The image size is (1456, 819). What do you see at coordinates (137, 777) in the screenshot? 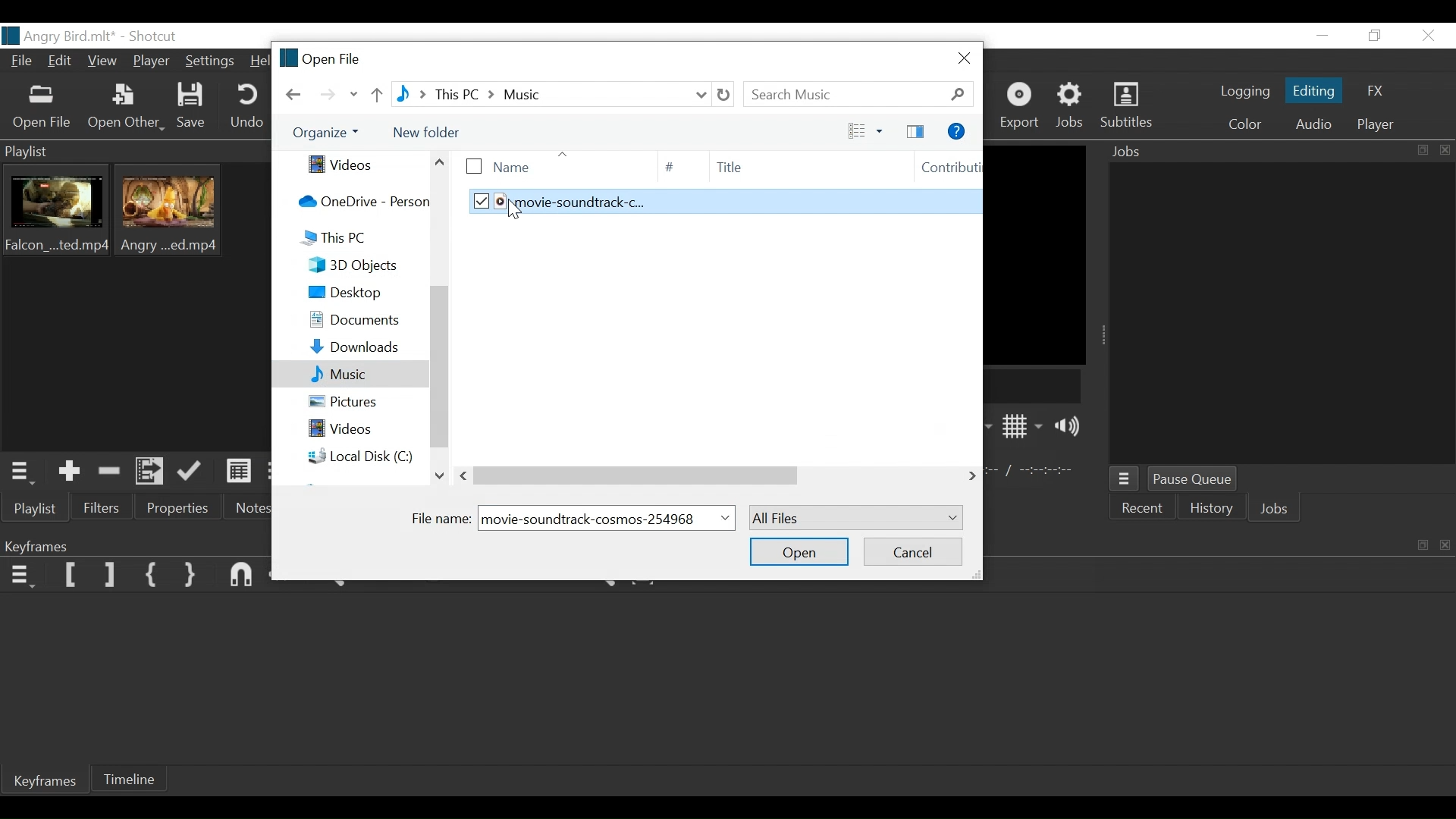
I see `Timeline` at bounding box center [137, 777].